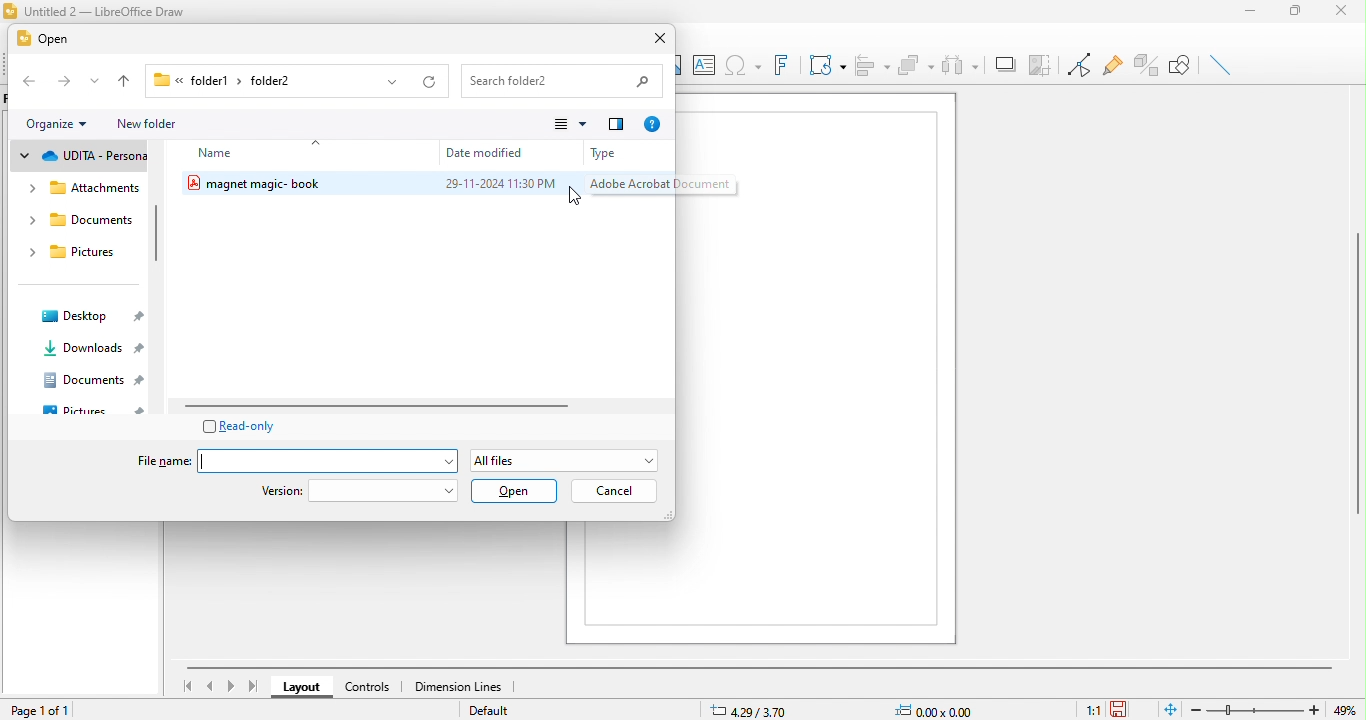 The image size is (1366, 720). What do you see at coordinates (297, 184) in the screenshot?
I see `magnet.magic-book` at bounding box center [297, 184].